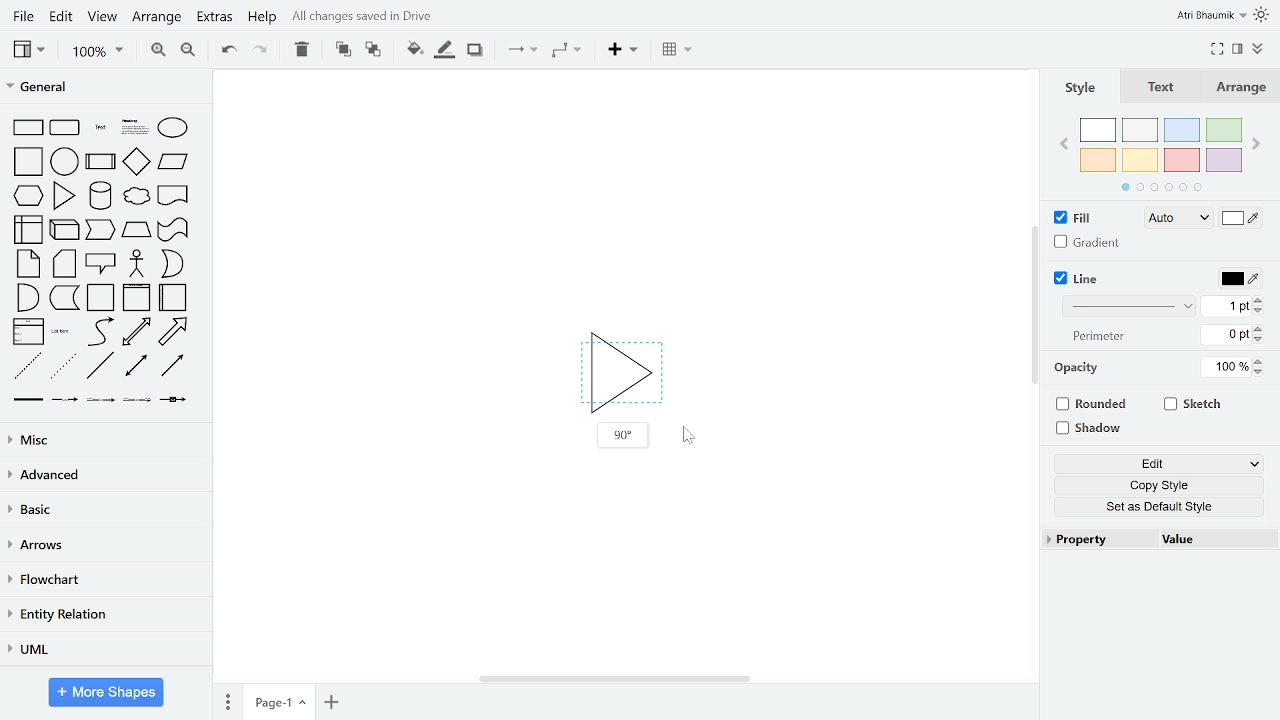 This screenshot has width=1280, height=720. What do you see at coordinates (1061, 147) in the screenshot?
I see `previous ` at bounding box center [1061, 147].